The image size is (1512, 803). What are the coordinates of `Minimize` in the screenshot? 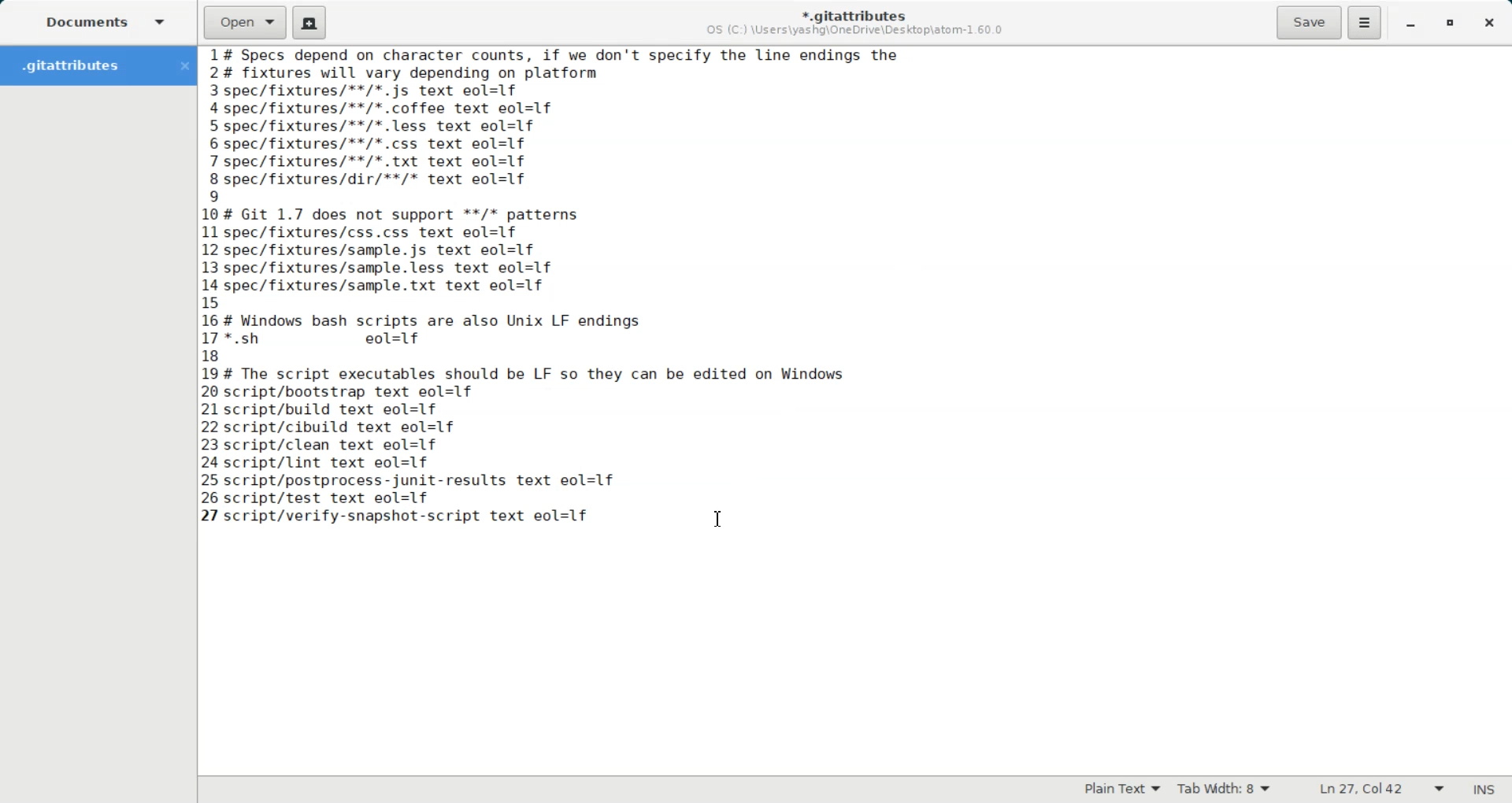 It's located at (1410, 25).